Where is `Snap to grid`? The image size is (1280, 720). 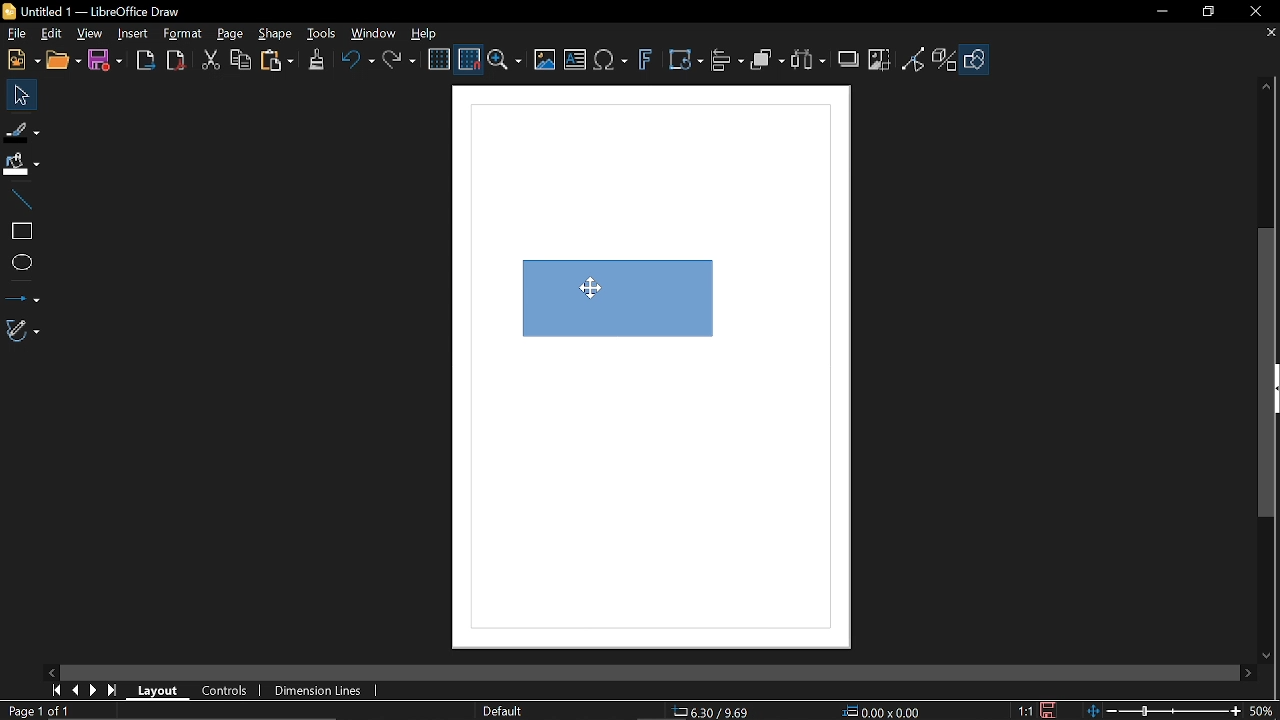 Snap to grid is located at coordinates (468, 60).